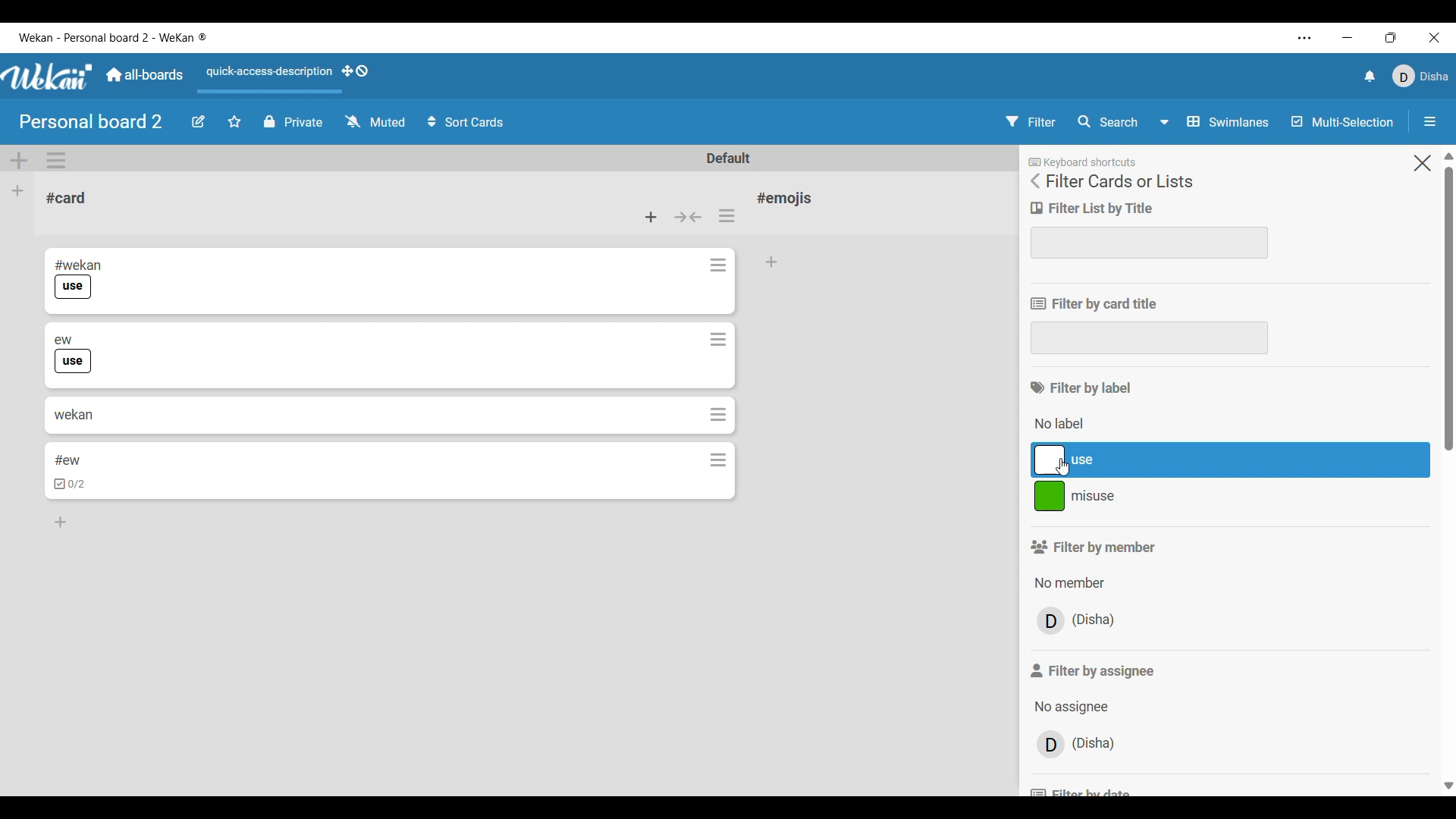  Describe the element at coordinates (75, 362) in the screenshot. I see `use` at that location.